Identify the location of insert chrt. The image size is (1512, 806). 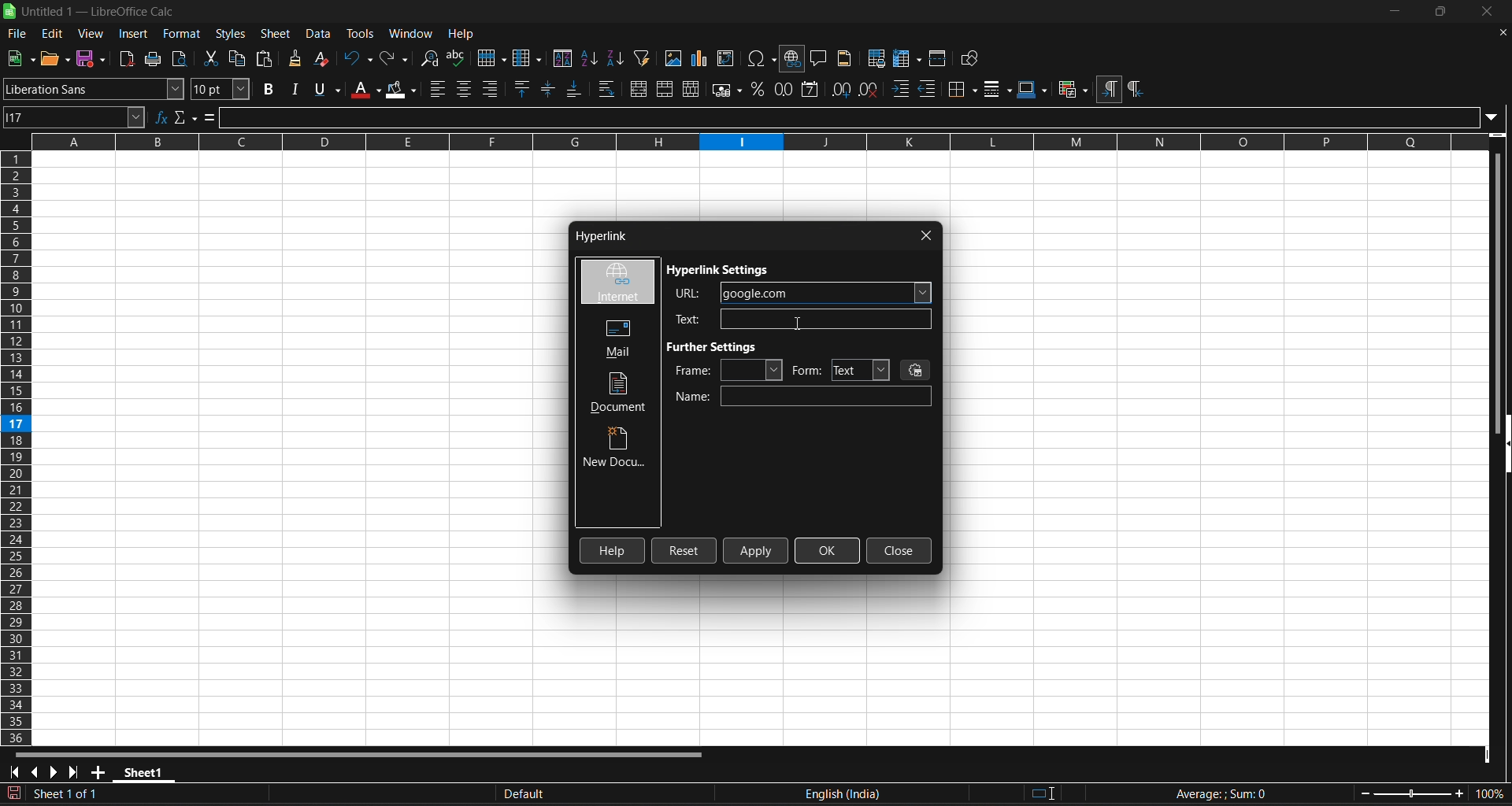
(703, 58).